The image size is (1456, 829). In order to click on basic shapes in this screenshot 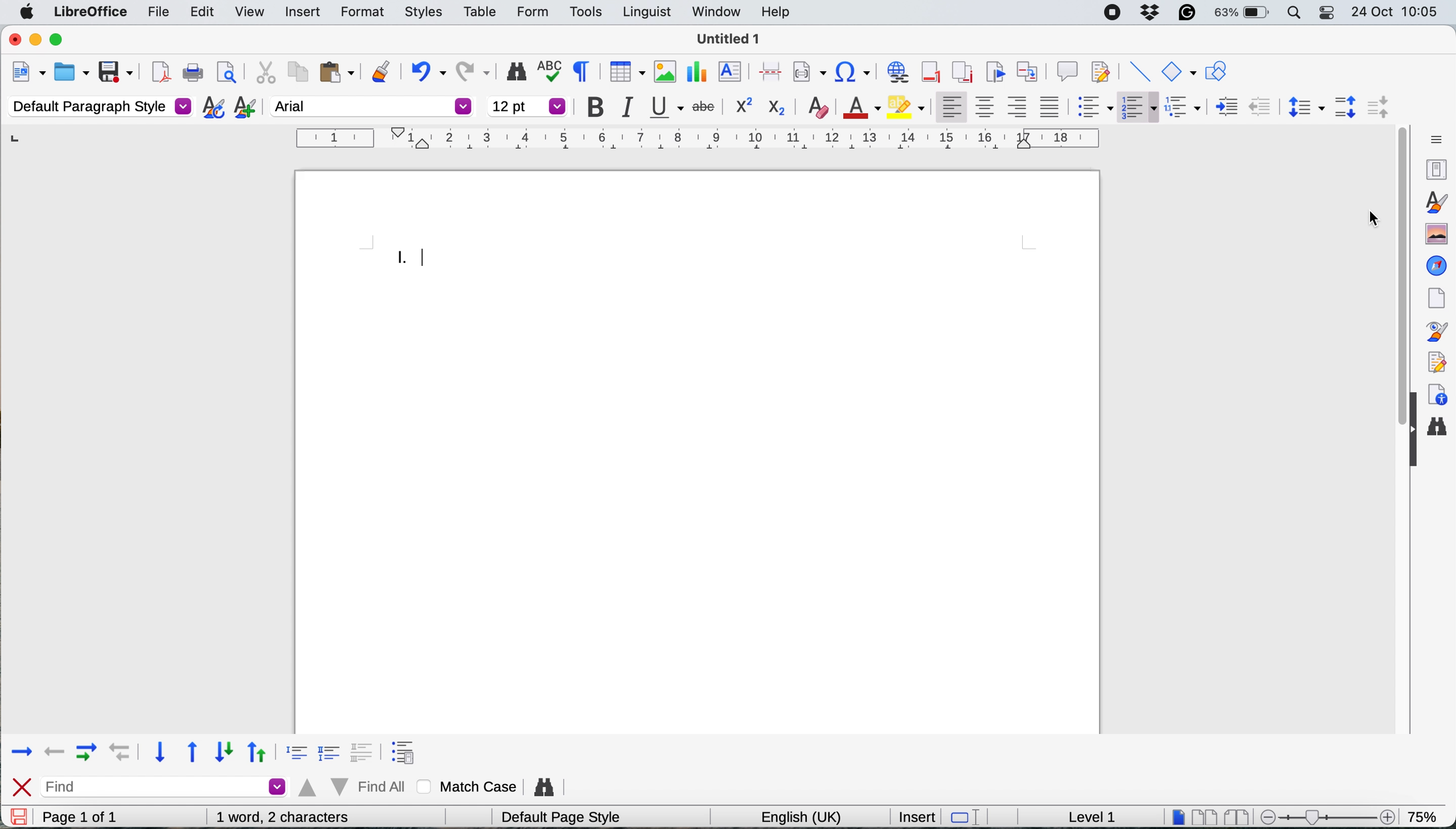, I will do `click(1178, 71)`.